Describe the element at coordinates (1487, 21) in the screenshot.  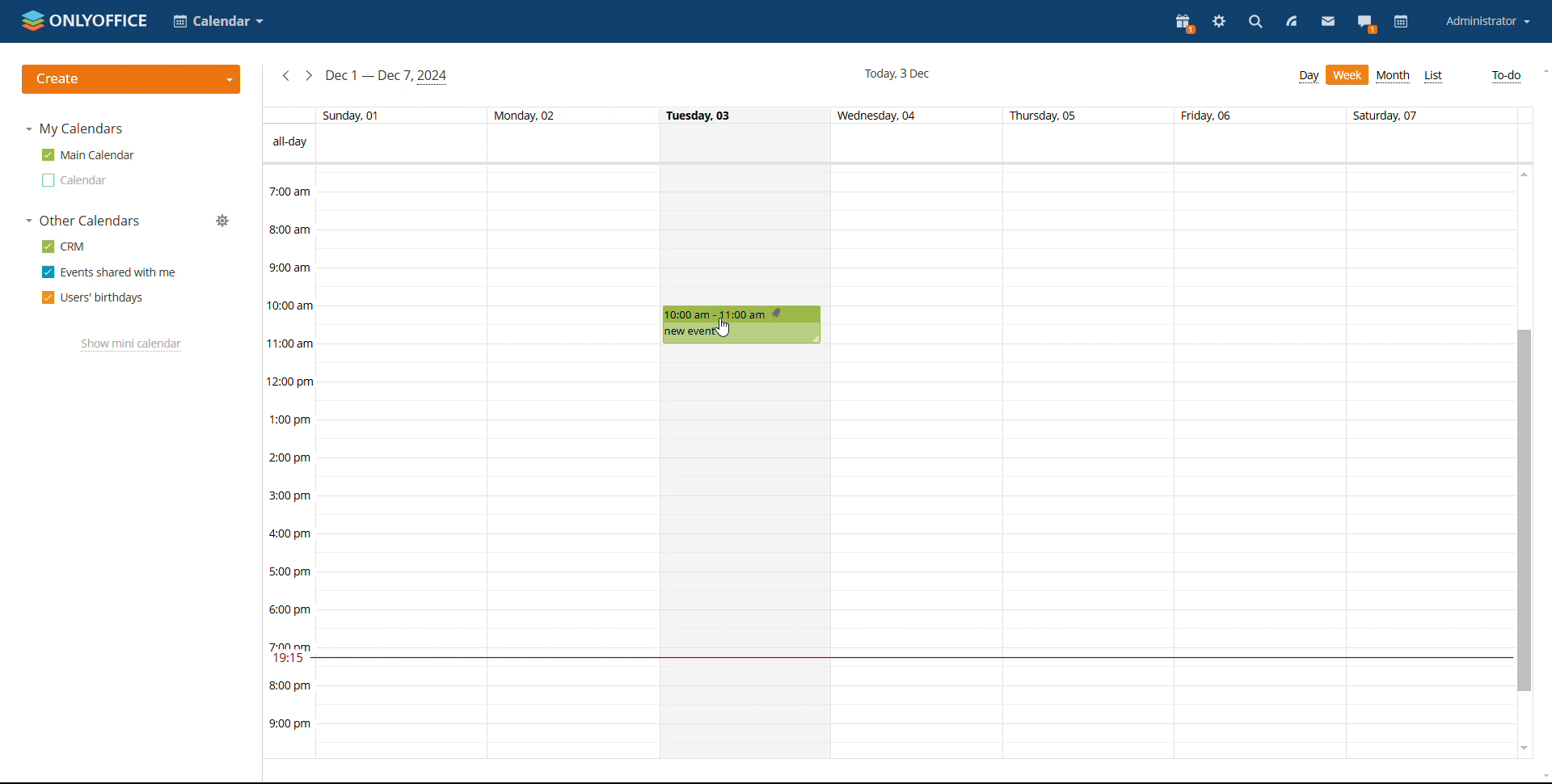
I see `Administrator` at that location.